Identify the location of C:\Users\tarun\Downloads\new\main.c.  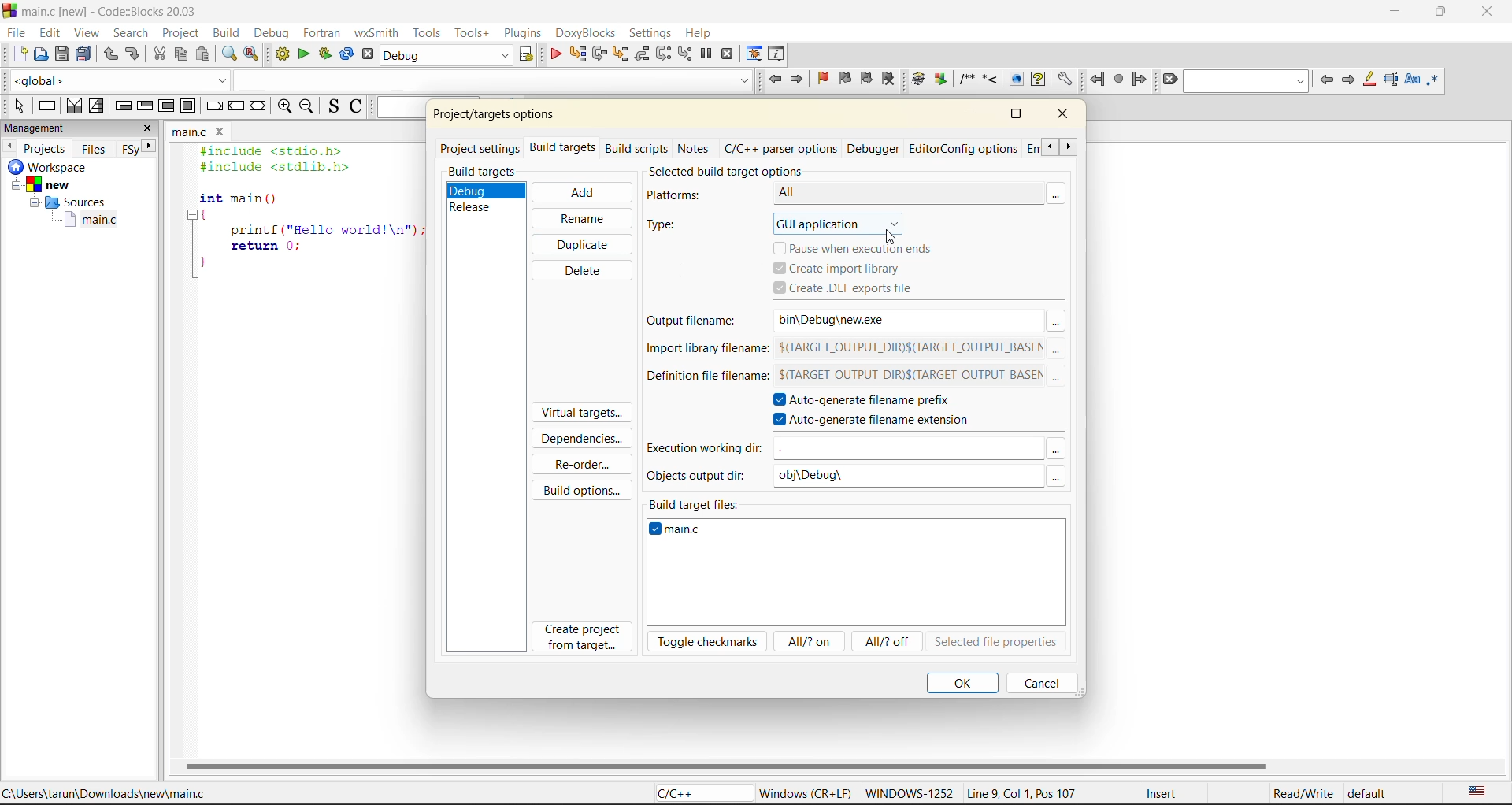
(110, 793).